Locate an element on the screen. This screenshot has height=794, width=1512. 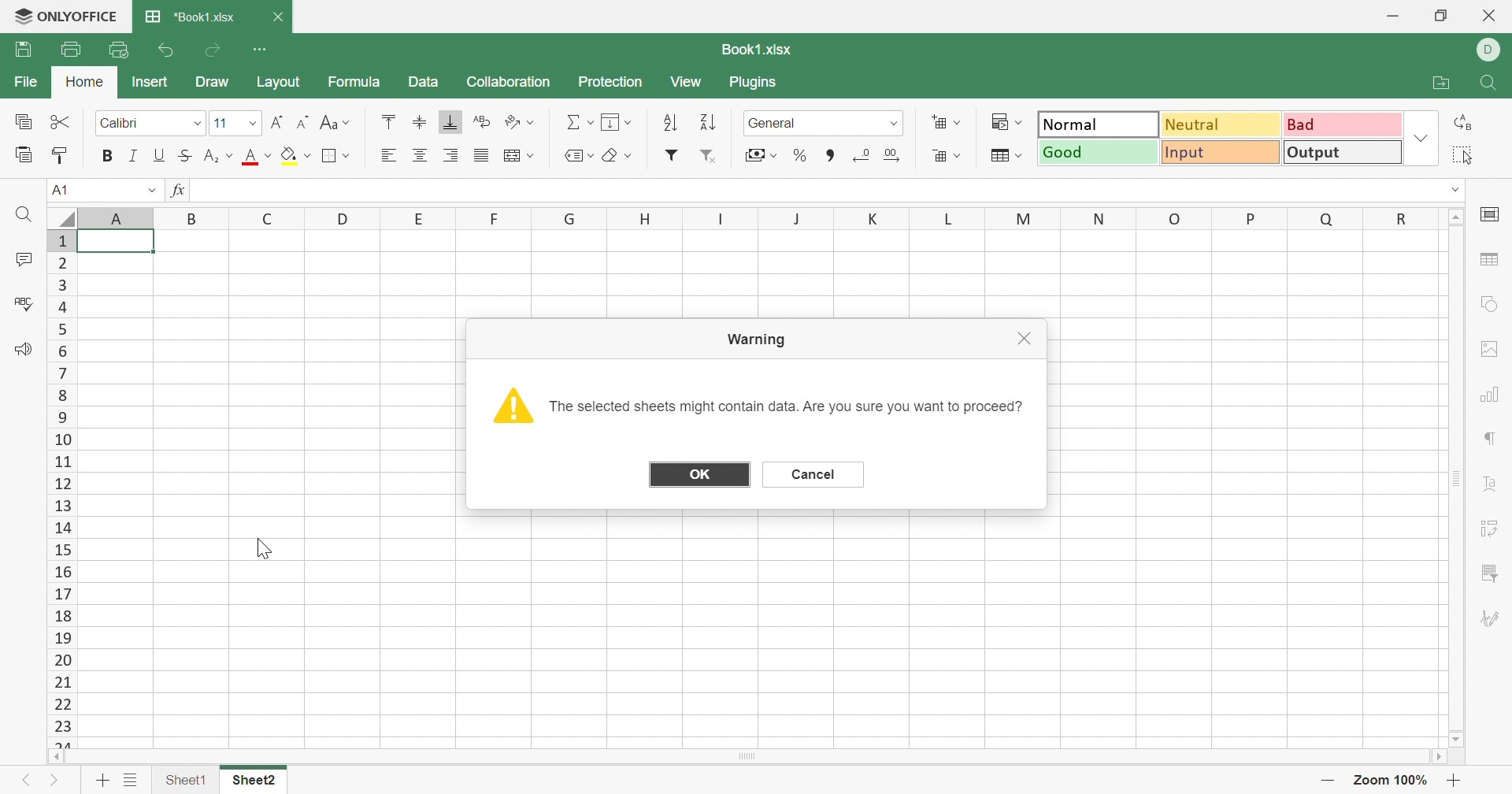
Borders is located at coordinates (339, 155).